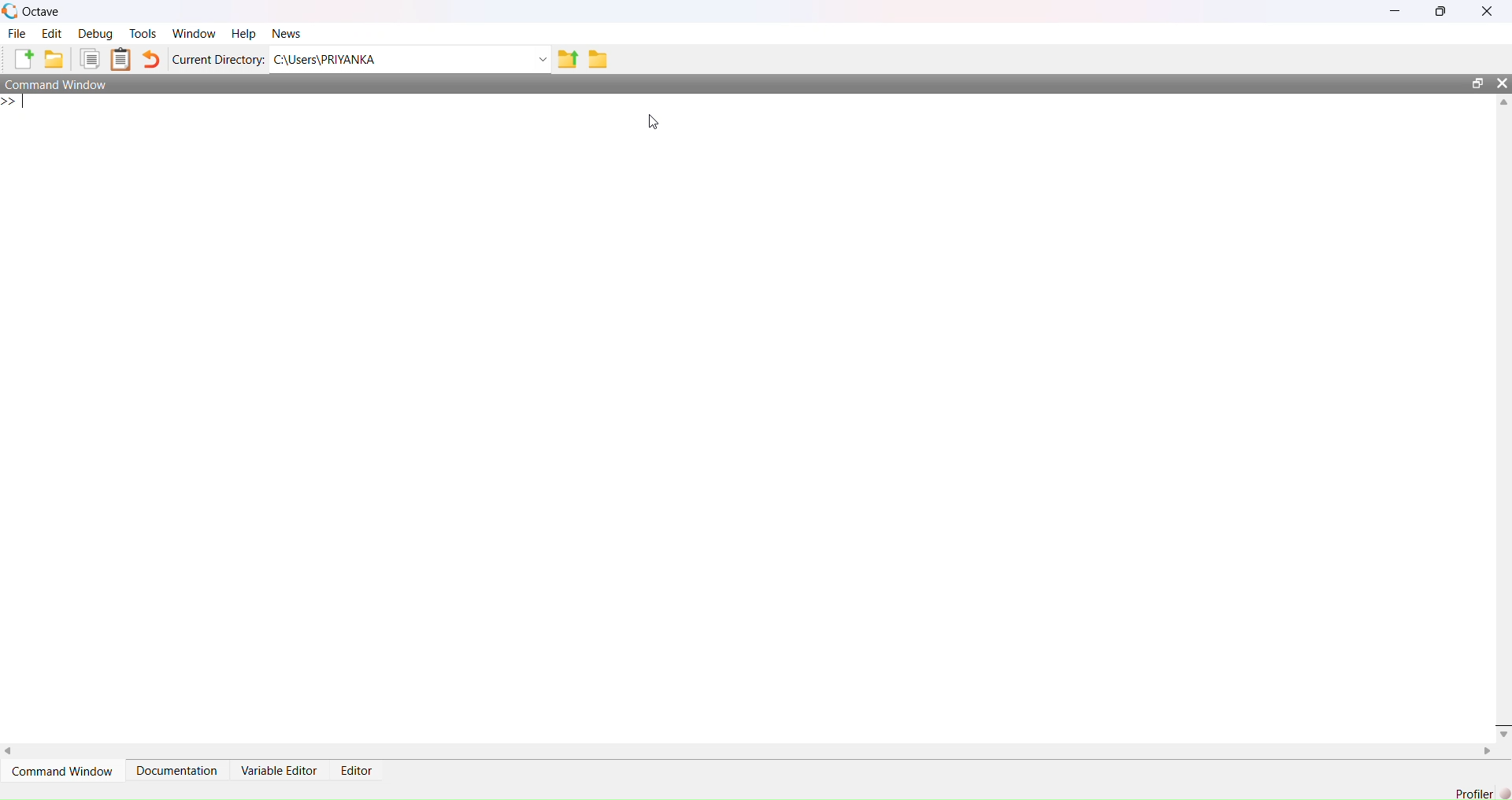 This screenshot has width=1512, height=800. What do you see at coordinates (146, 34) in the screenshot?
I see `Tools` at bounding box center [146, 34].